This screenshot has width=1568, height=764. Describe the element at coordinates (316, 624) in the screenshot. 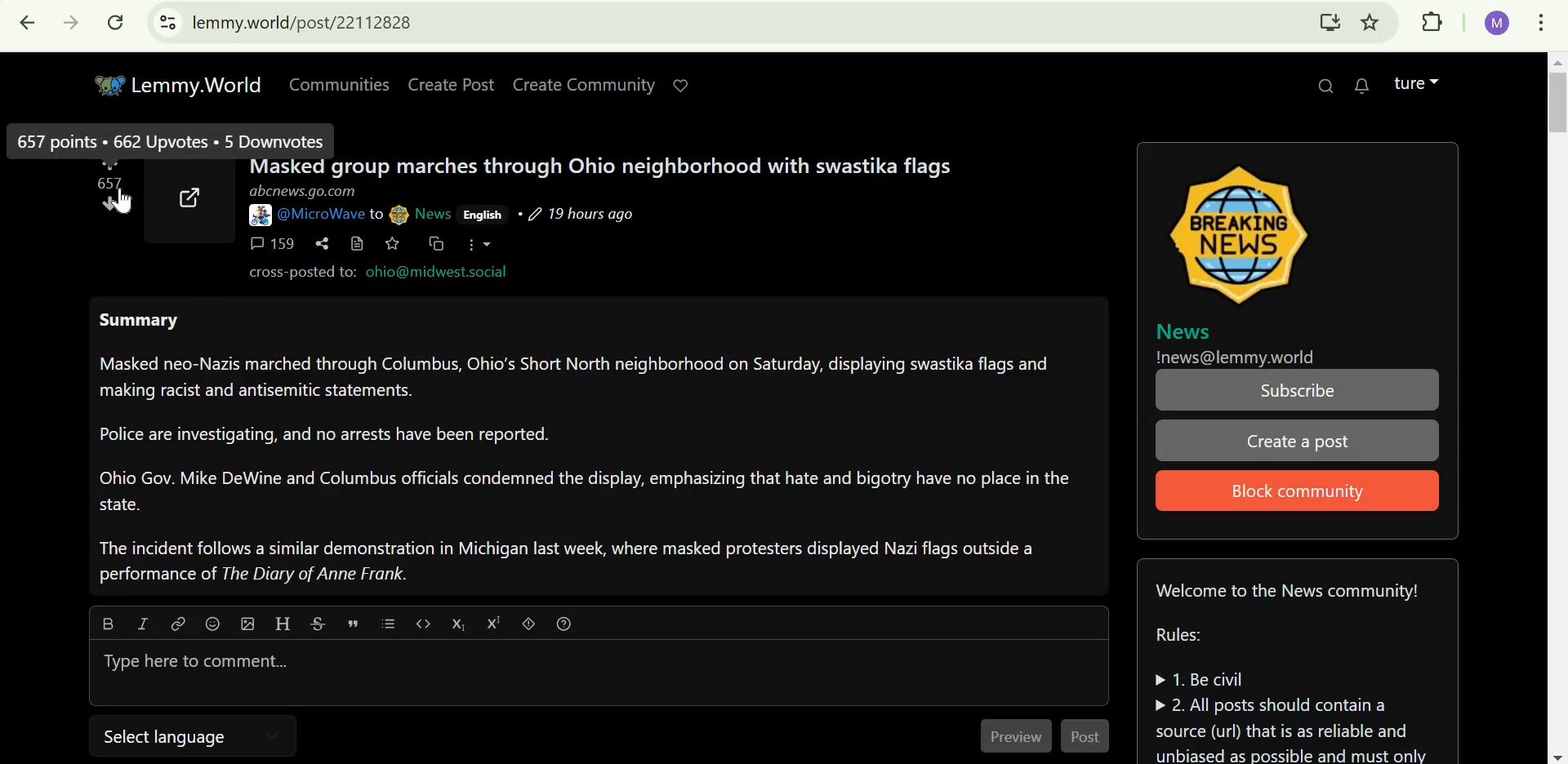

I see `strikethrough` at that location.